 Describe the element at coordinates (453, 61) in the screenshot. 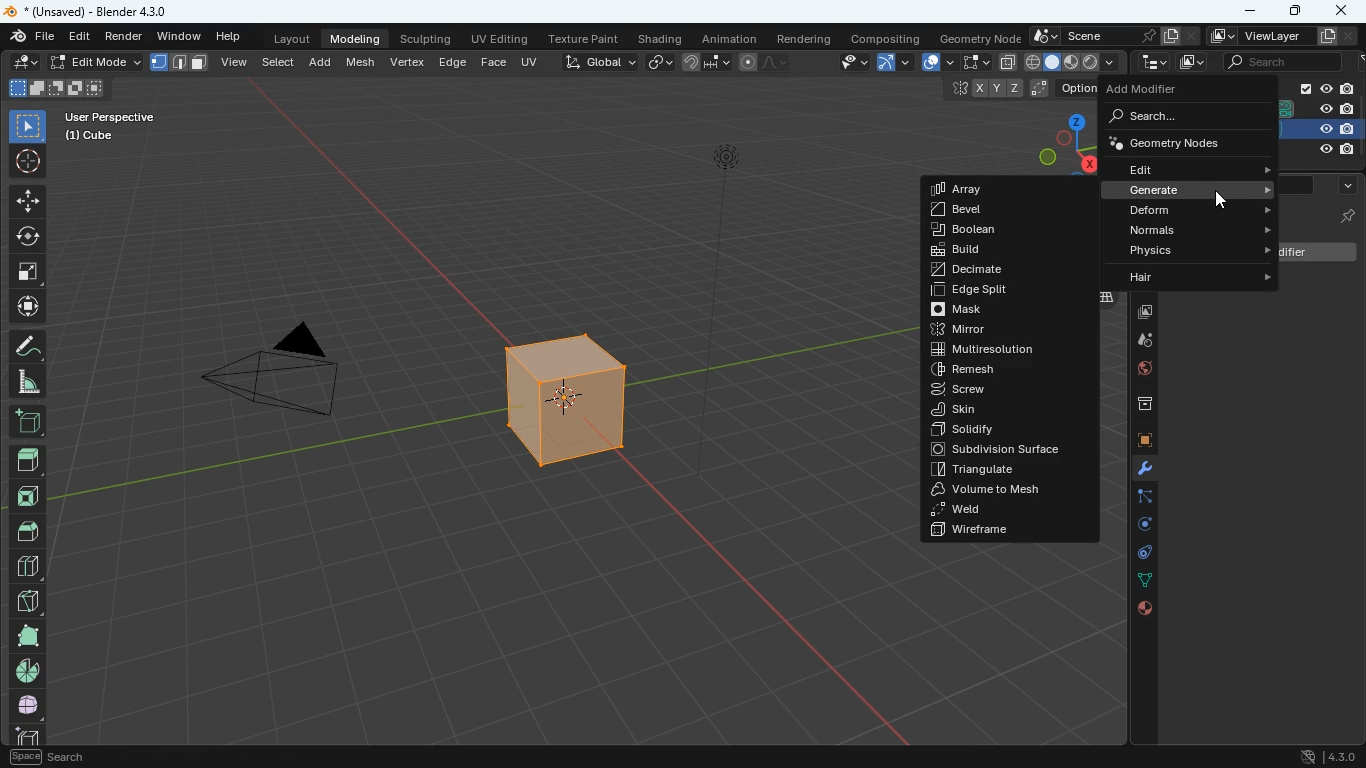

I see `edge` at that location.